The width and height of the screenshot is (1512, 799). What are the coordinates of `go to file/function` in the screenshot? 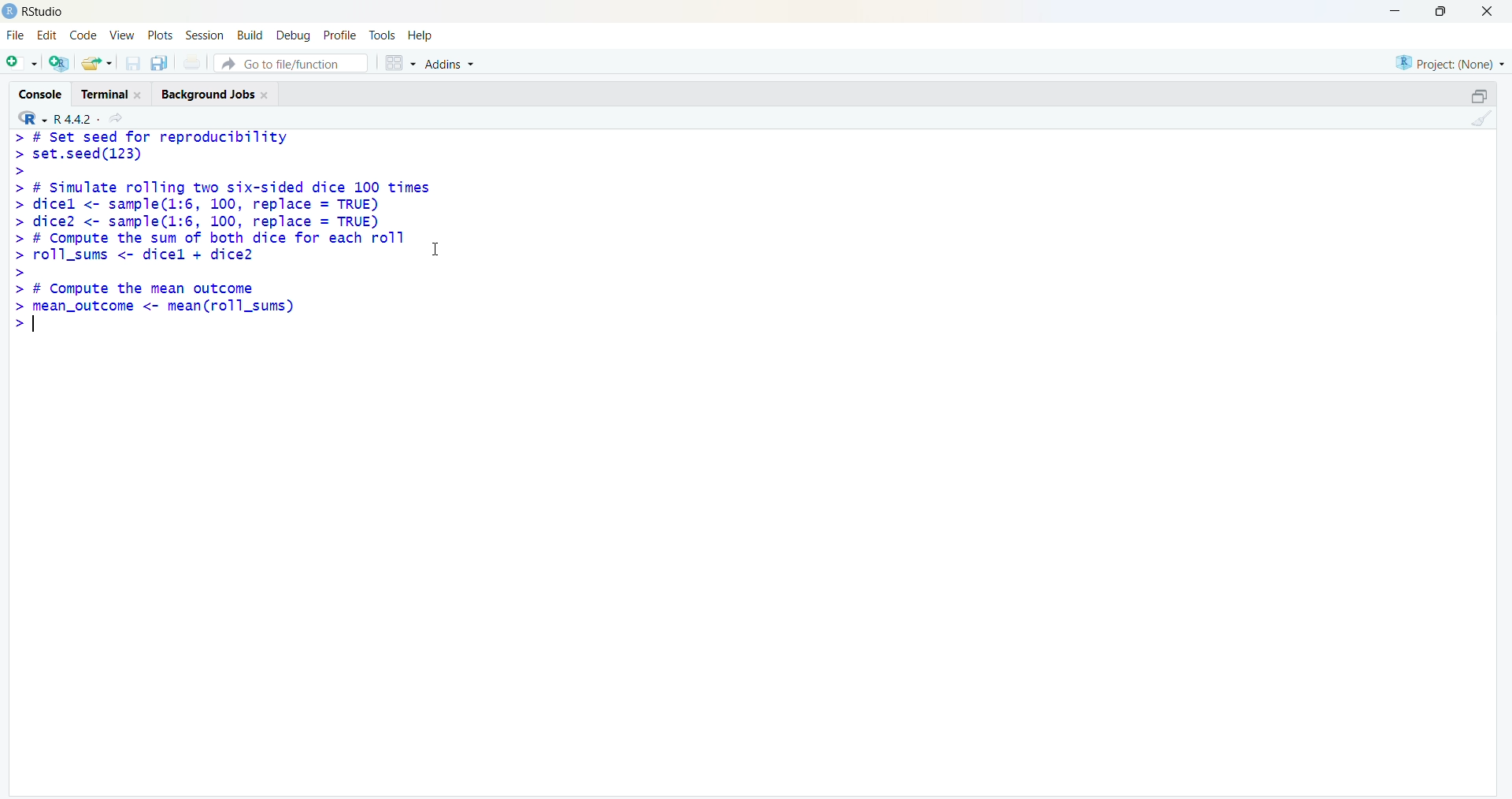 It's located at (291, 63).